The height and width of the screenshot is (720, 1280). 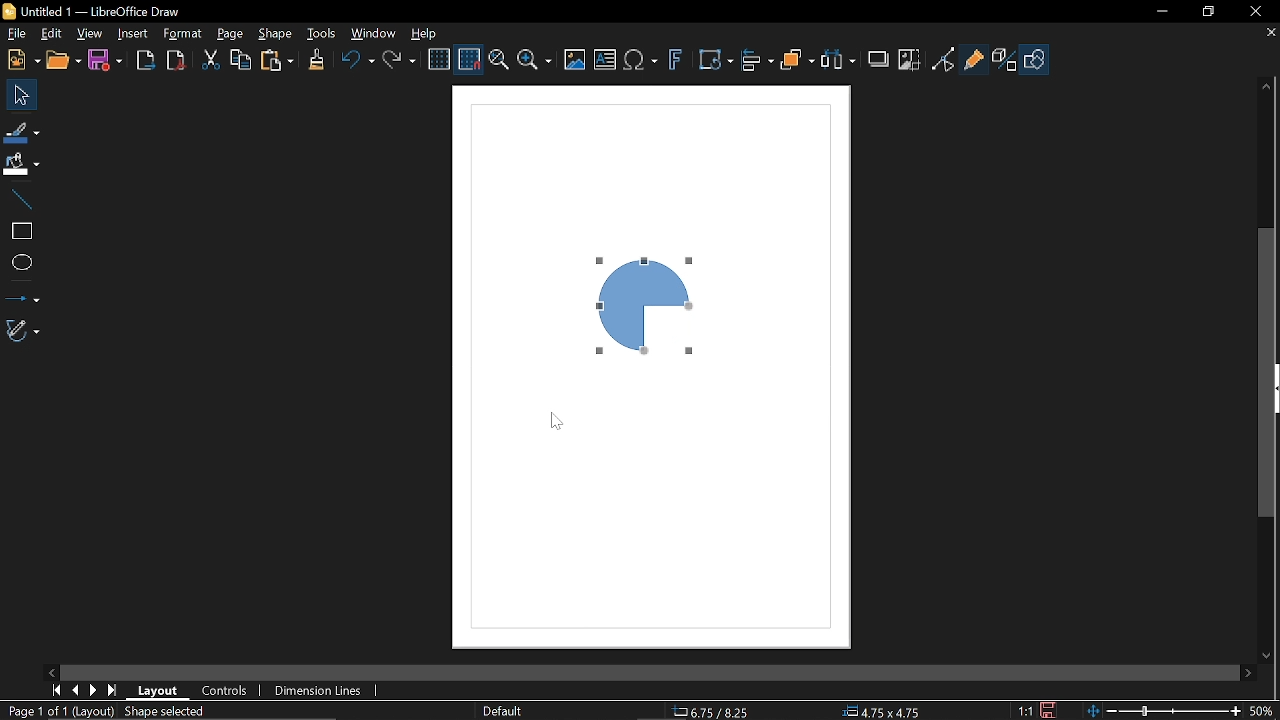 What do you see at coordinates (112, 10) in the screenshot?
I see `Untitled 1 -- LibreOffice Draw` at bounding box center [112, 10].